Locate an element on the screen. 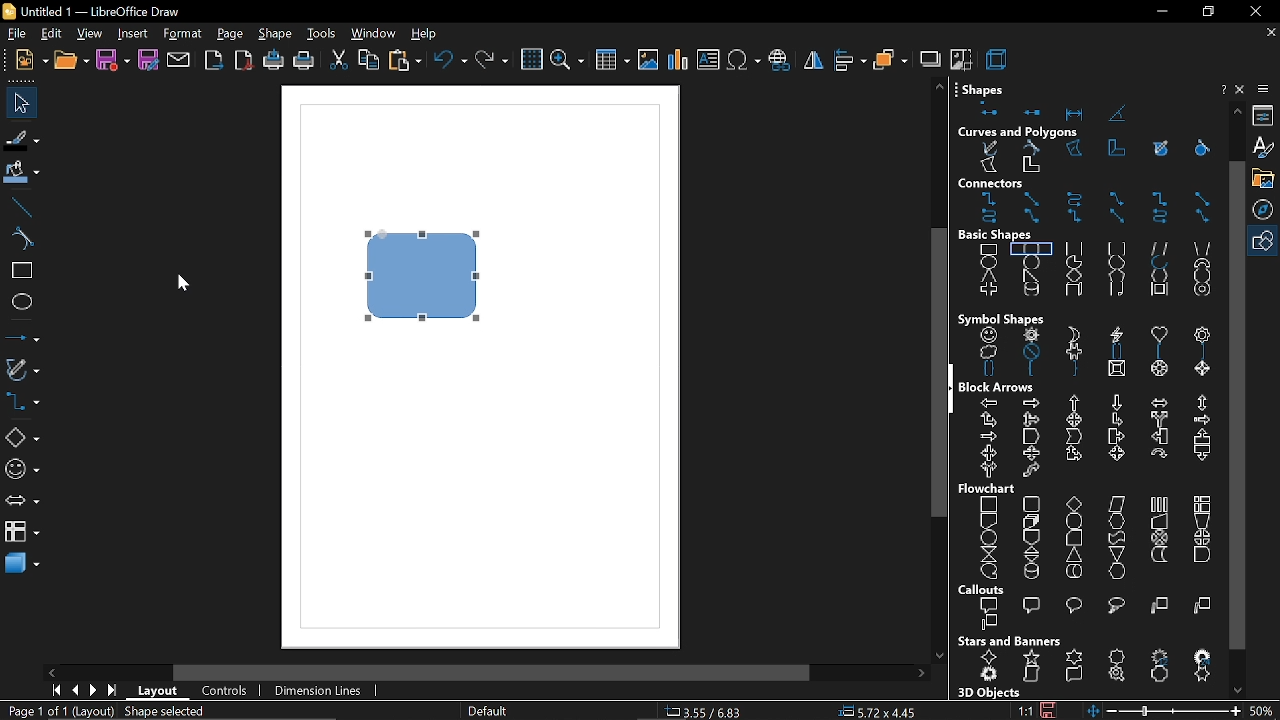 The width and height of the screenshot is (1280, 720). connectors is located at coordinates (1015, 184).